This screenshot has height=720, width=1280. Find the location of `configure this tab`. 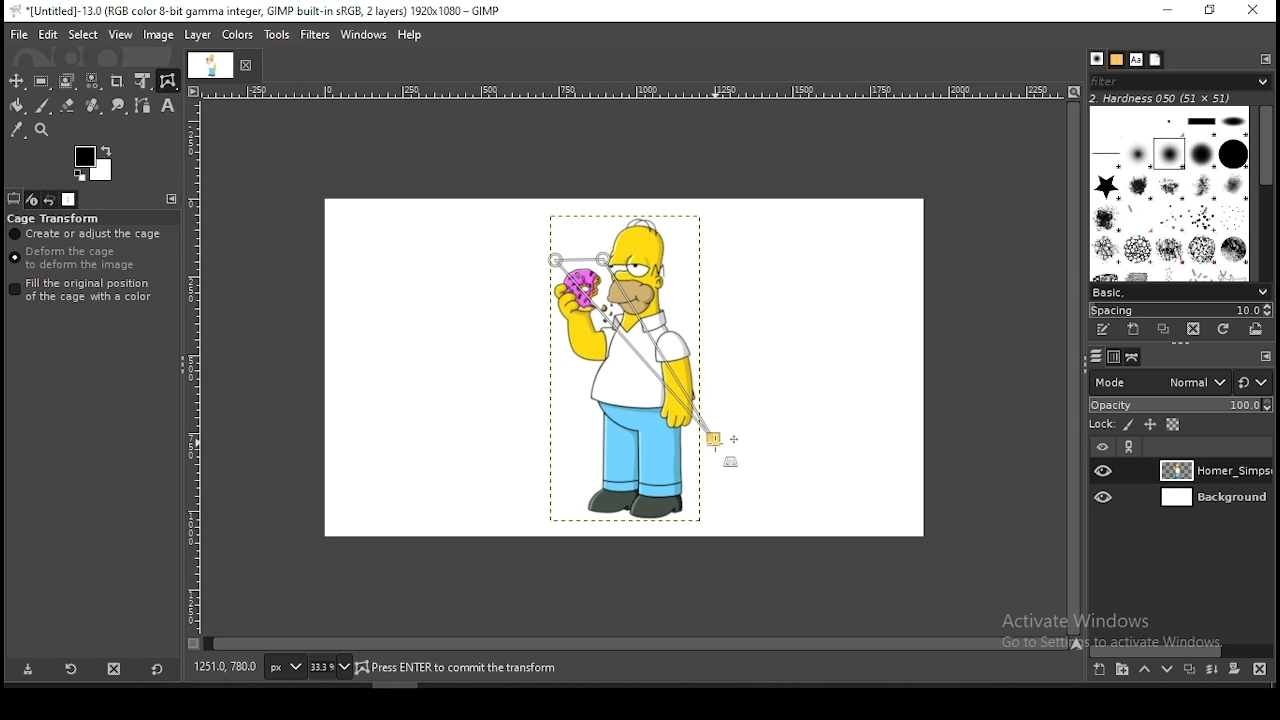

configure this tab is located at coordinates (1264, 61).